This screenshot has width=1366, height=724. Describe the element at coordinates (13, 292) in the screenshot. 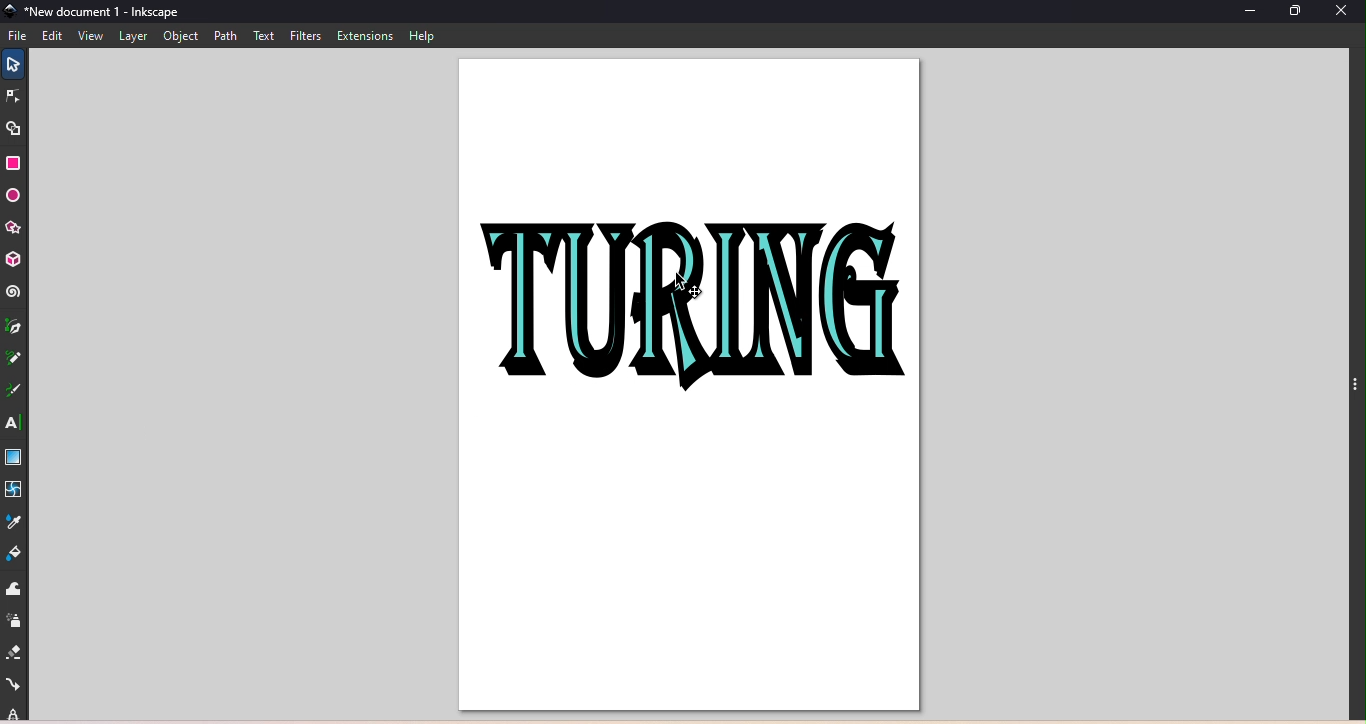

I see `Spiral tool` at that location.